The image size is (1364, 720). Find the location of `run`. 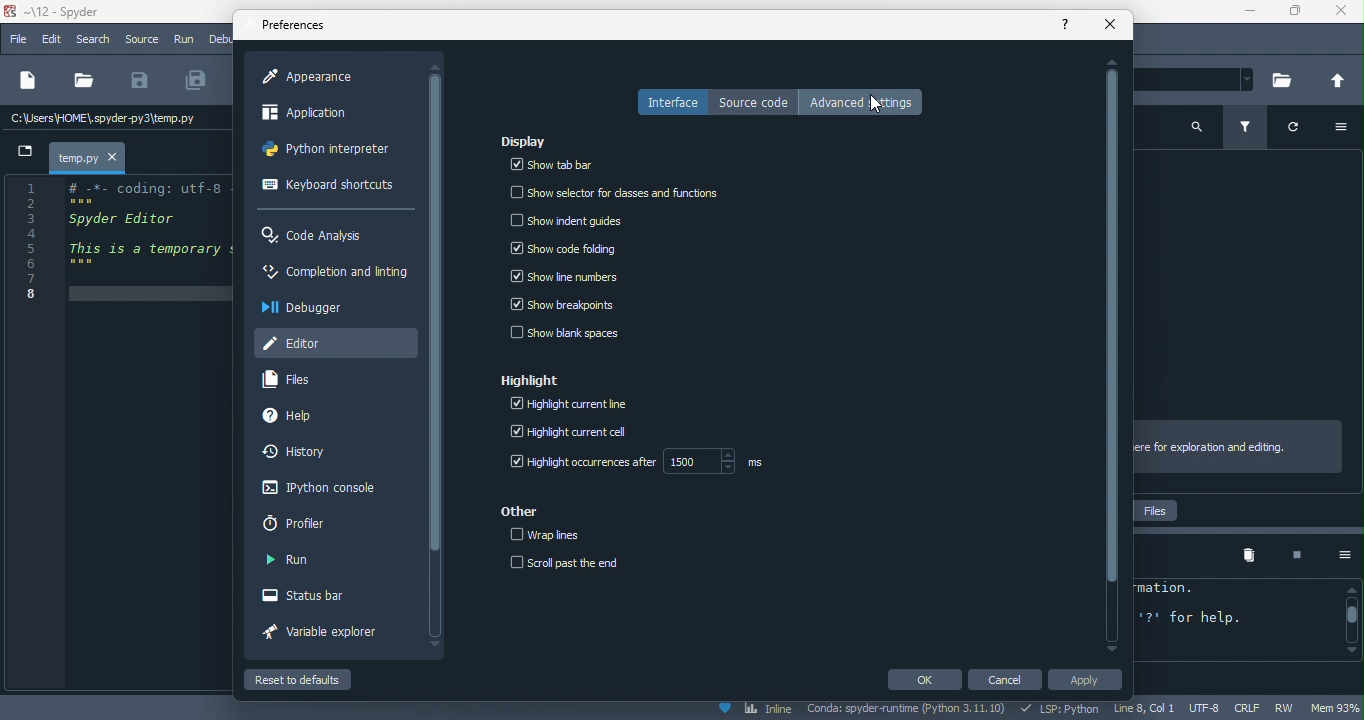

run is located at coordinates (185, 41).